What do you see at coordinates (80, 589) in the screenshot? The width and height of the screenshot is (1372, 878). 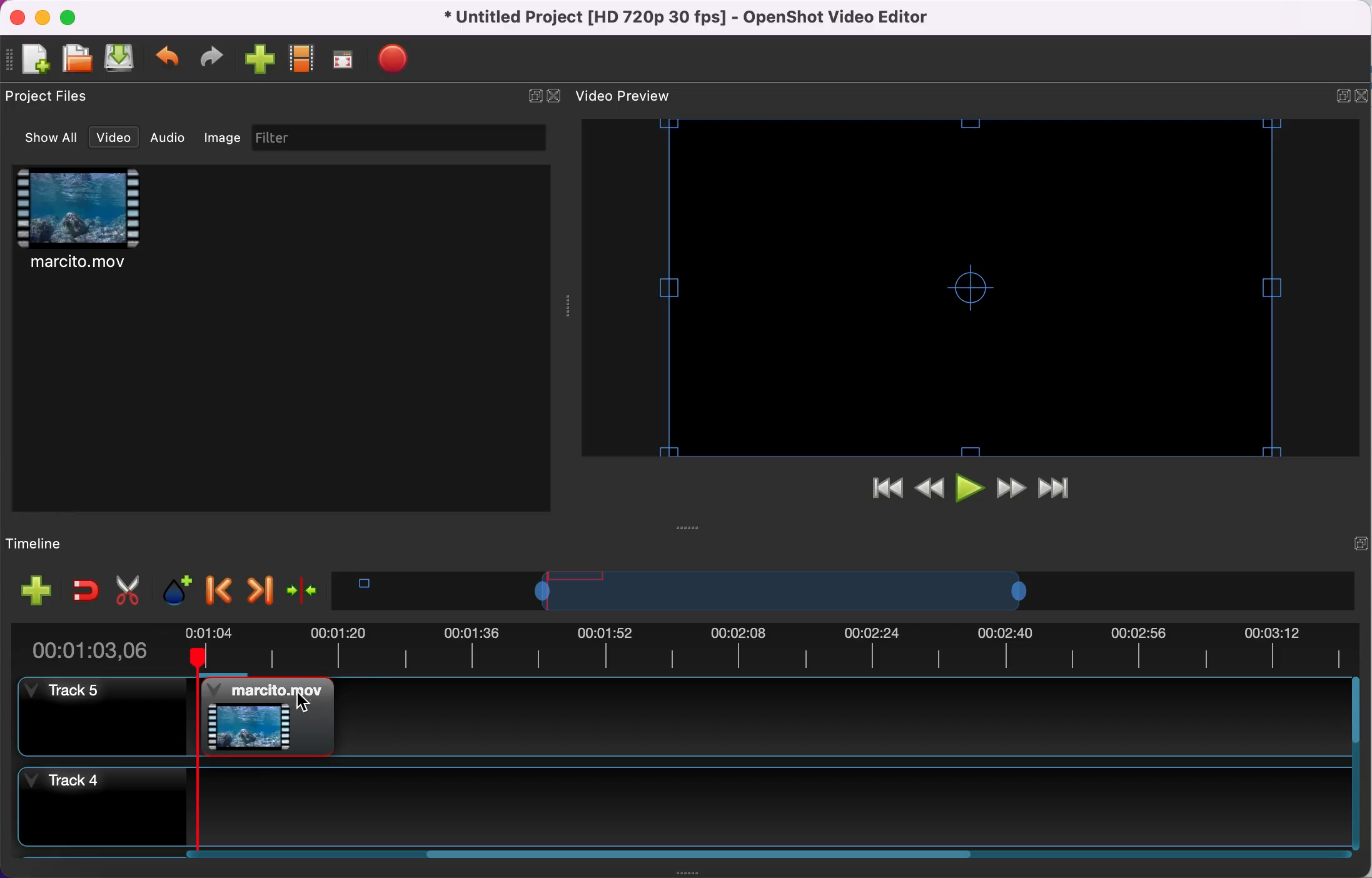 I see `enable snapping` at bounding box center [80, 589].